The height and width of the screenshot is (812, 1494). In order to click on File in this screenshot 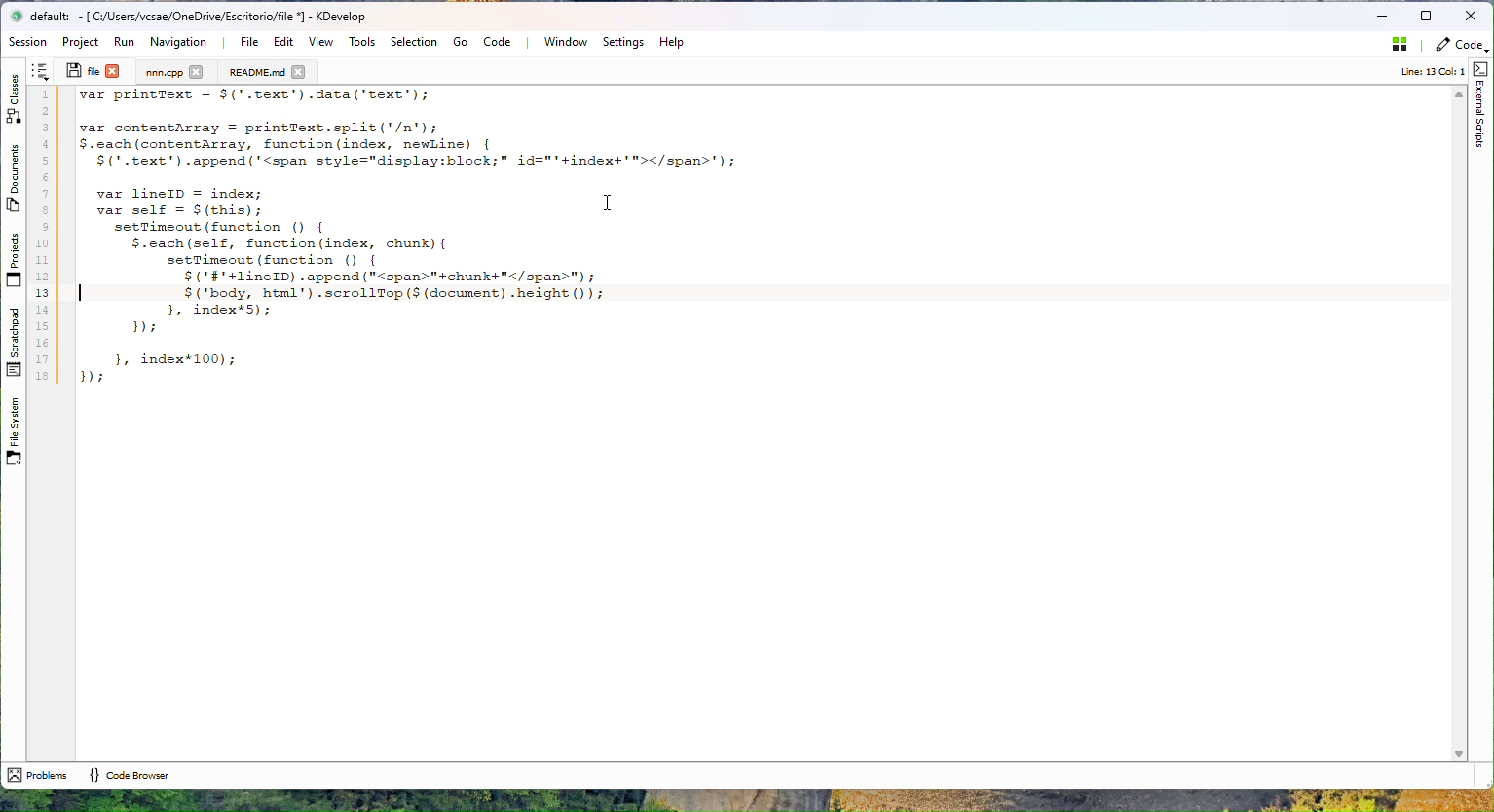, I will do `click(248, 42)`.